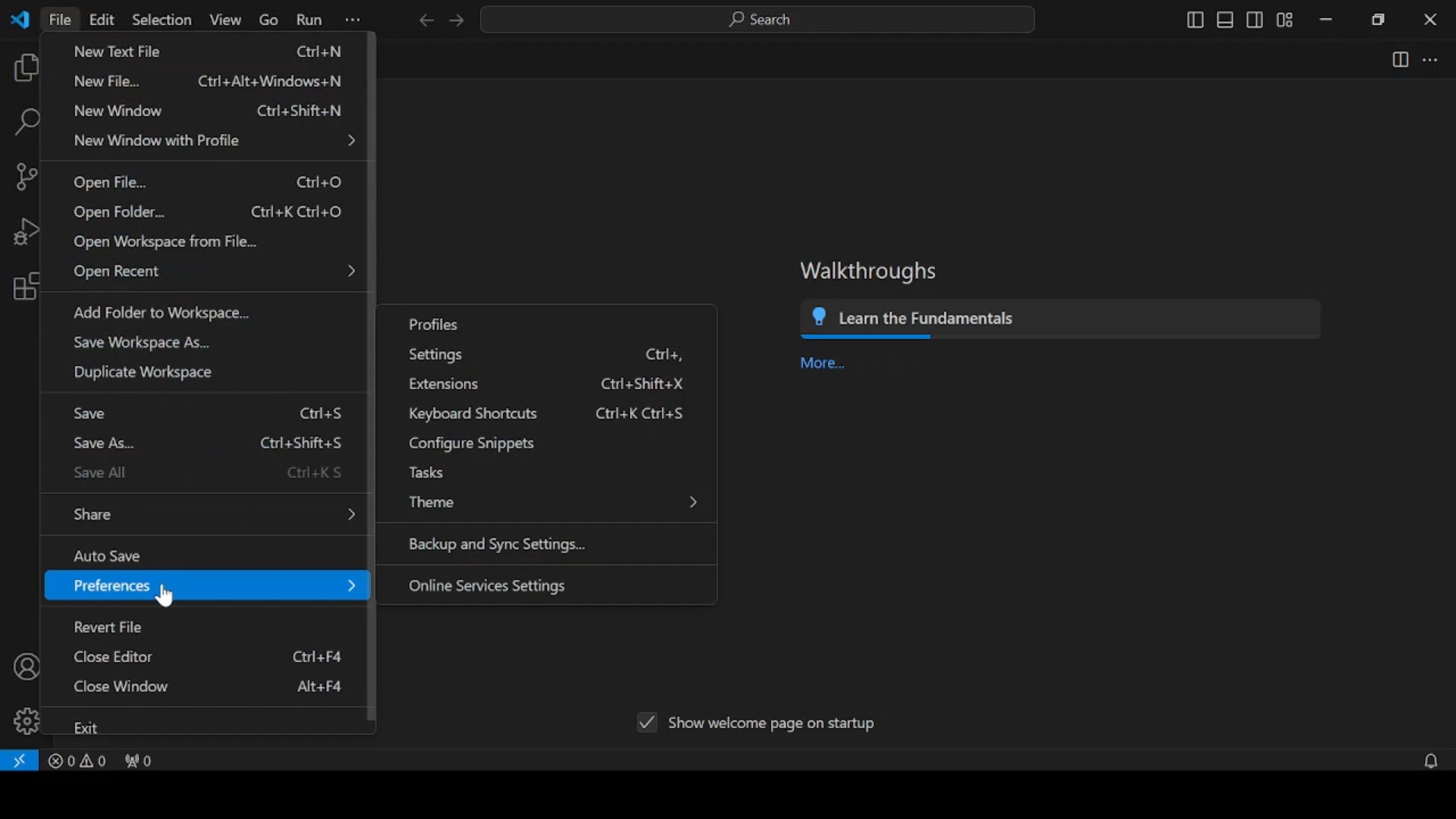 The width and height of the screenshot is (1456, 819). What do you see at coordinates (1379, 20) in the screenshot?
I see `restore down` at bounding box center [1379, 20].